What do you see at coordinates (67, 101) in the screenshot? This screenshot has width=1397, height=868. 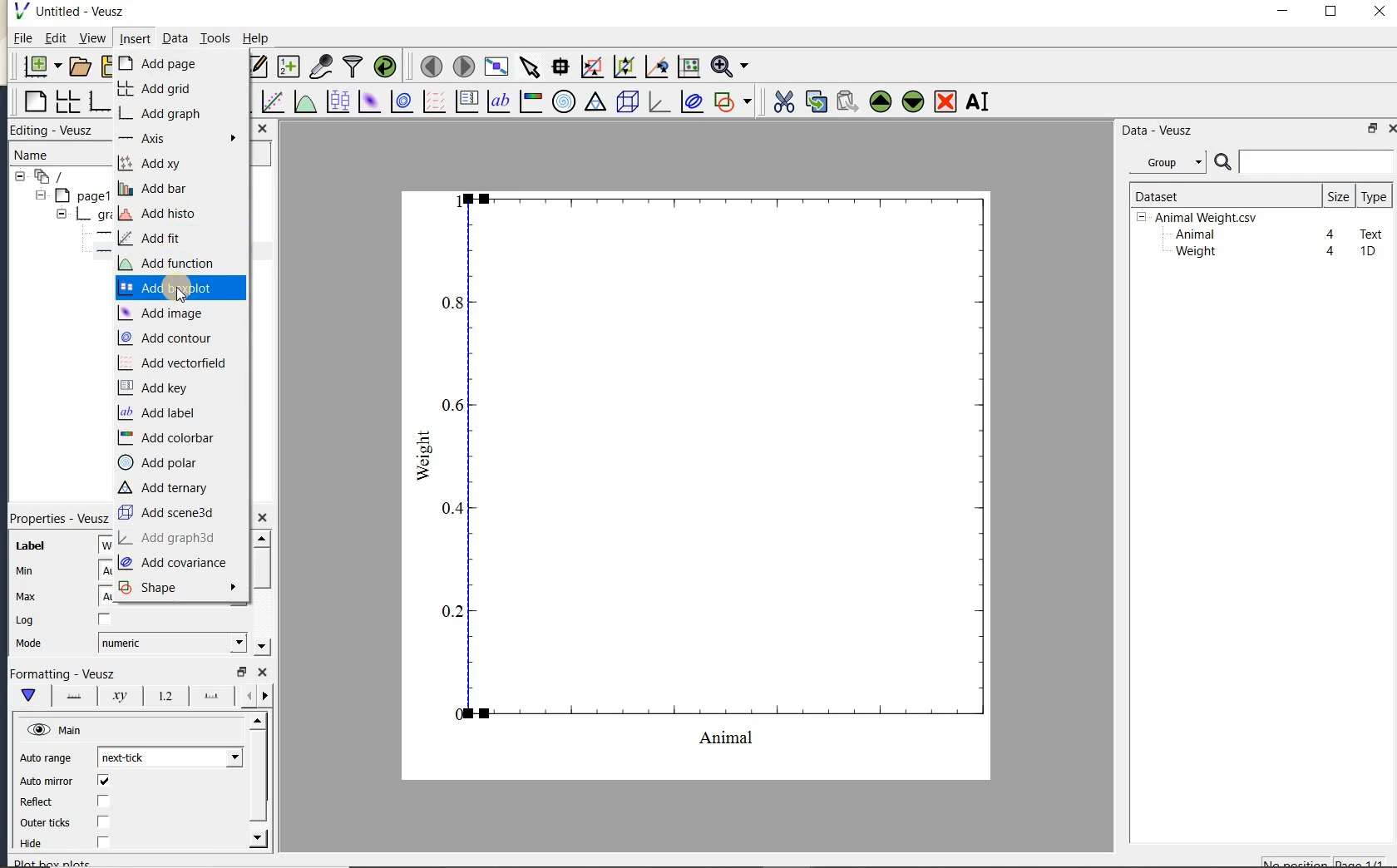 I see `arrange graphs in a grid` at bounding box center [67, 101].